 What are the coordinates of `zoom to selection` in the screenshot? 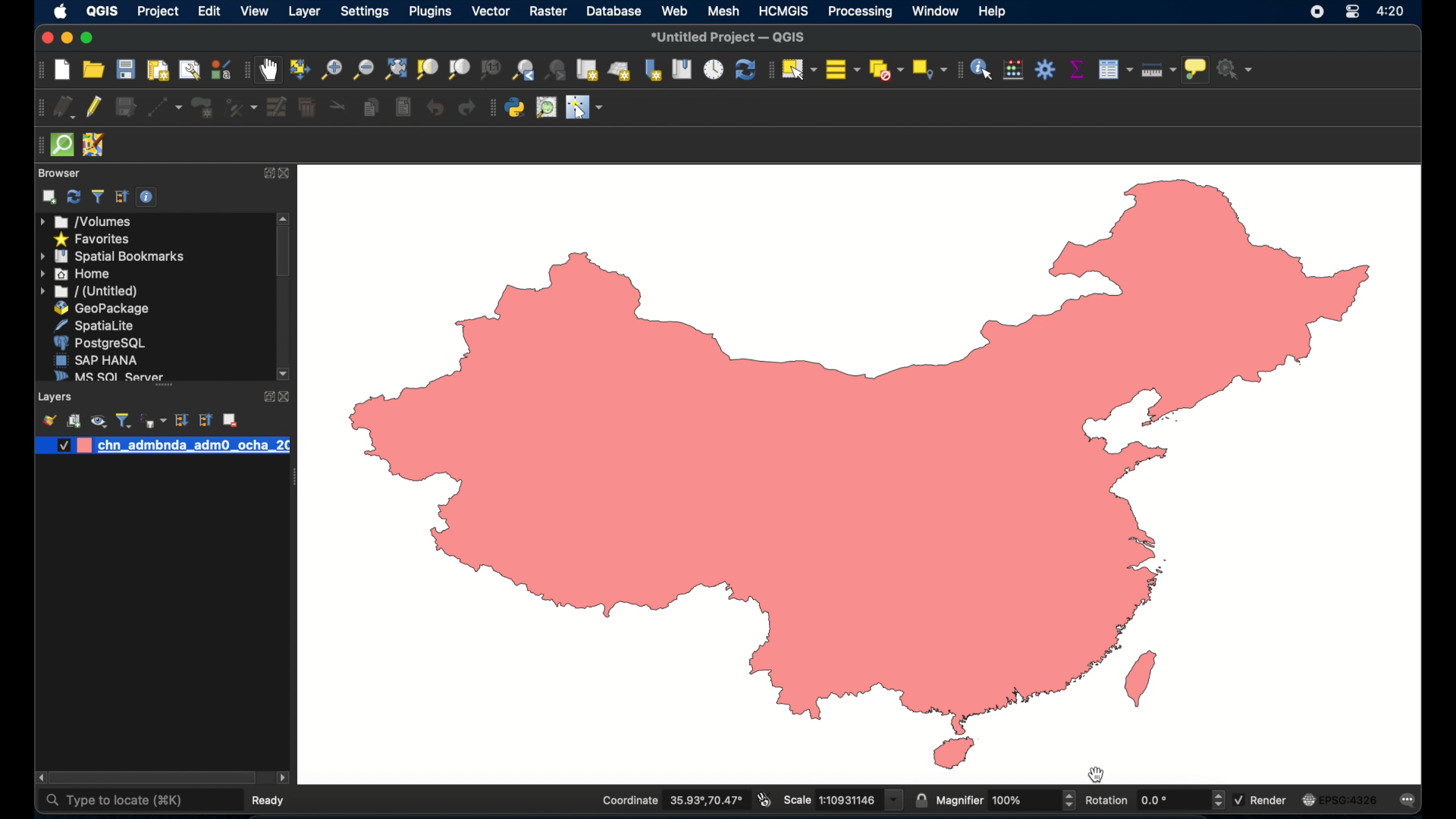 It's located at (428, 69).